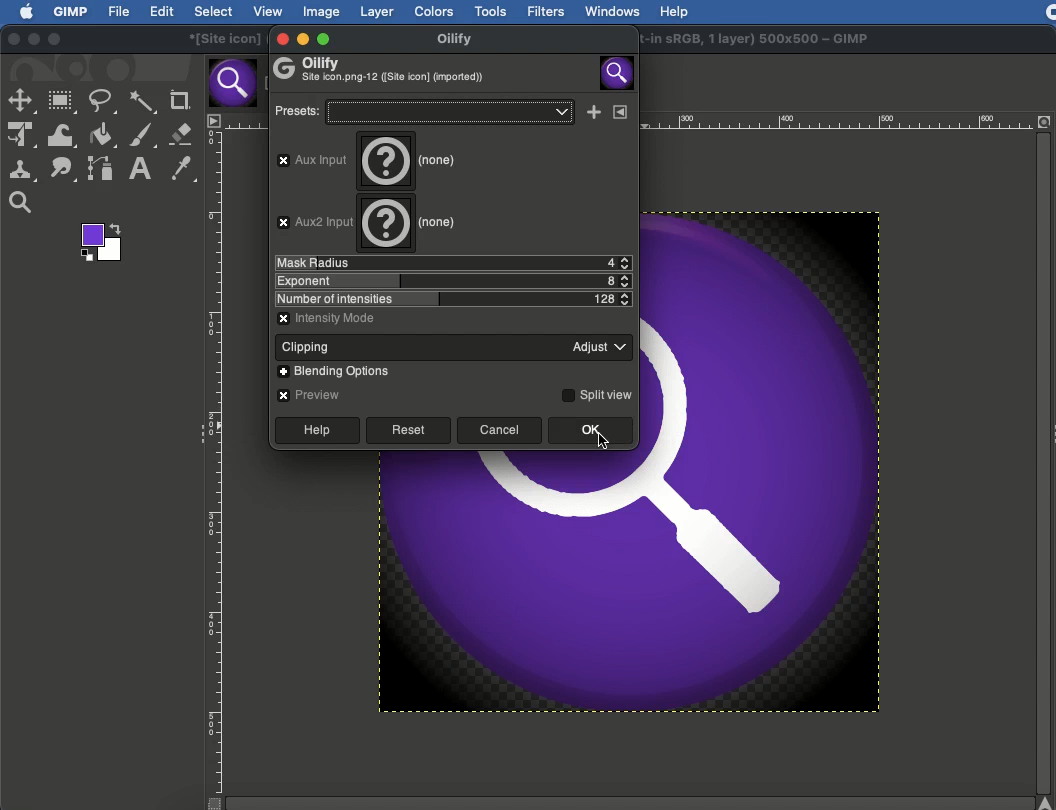  Describe the element at coordinates (334, 371) in the screenshot. I see `Blending options` at that location.